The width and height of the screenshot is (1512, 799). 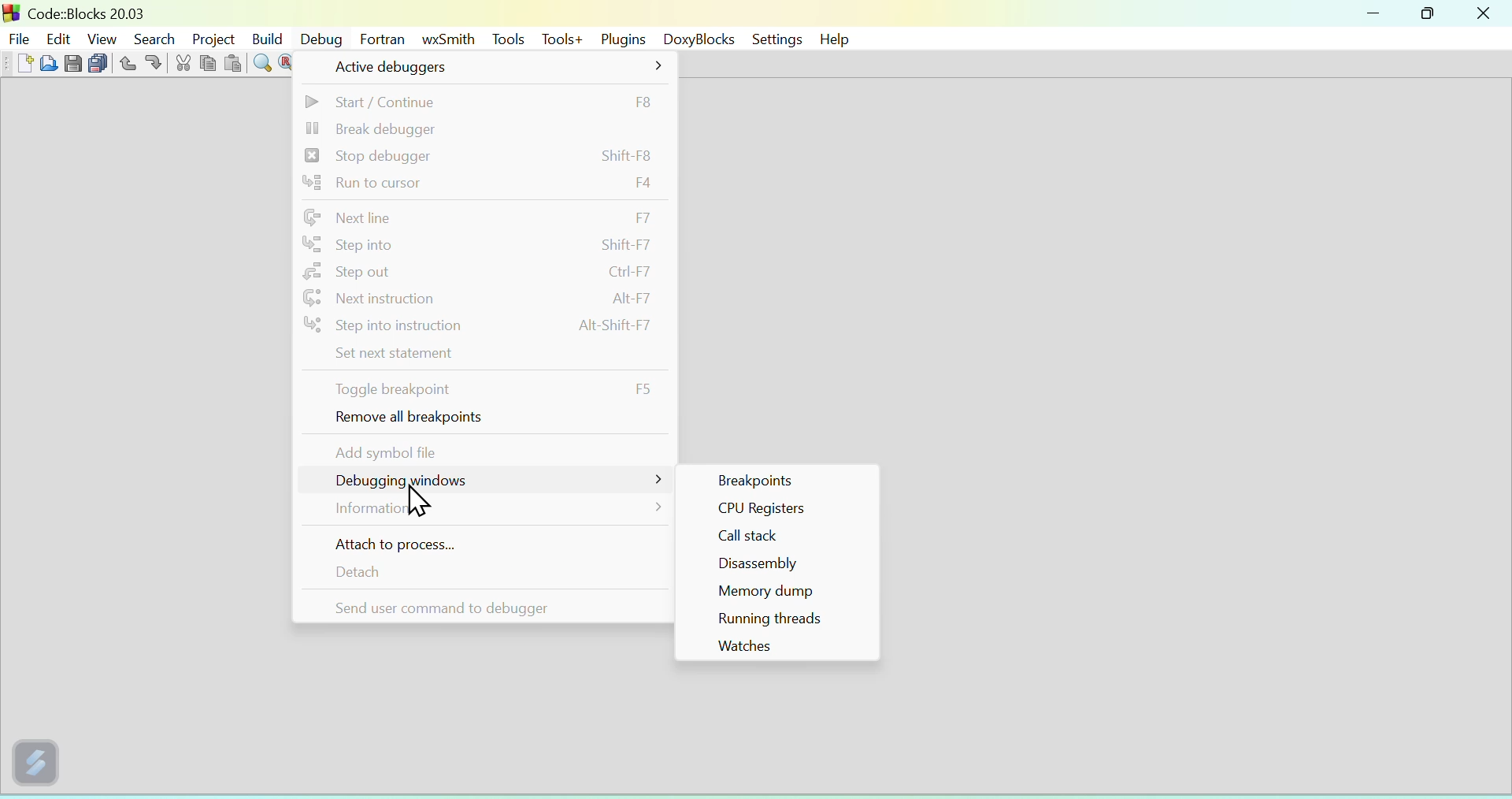 What do you see at coordinates (1485, 13) in the screenshot?
I see `close` at bounding box center [1485, 13].